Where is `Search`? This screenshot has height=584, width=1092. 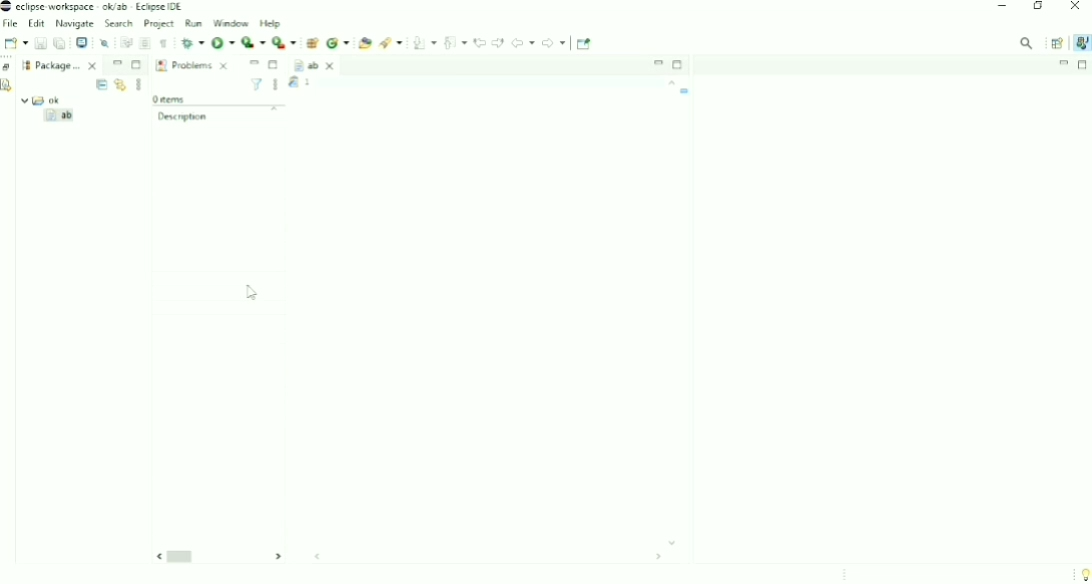
Search is located at coordinates (116, 23).